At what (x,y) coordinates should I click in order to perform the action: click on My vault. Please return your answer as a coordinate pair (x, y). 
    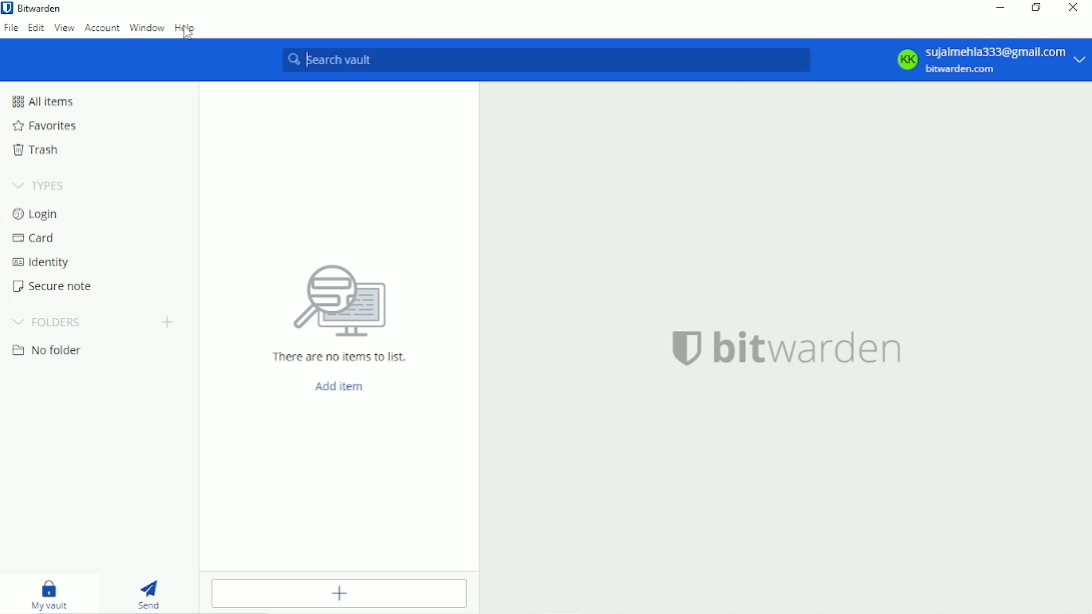
    Looking at the image, I should click on (48, 592).